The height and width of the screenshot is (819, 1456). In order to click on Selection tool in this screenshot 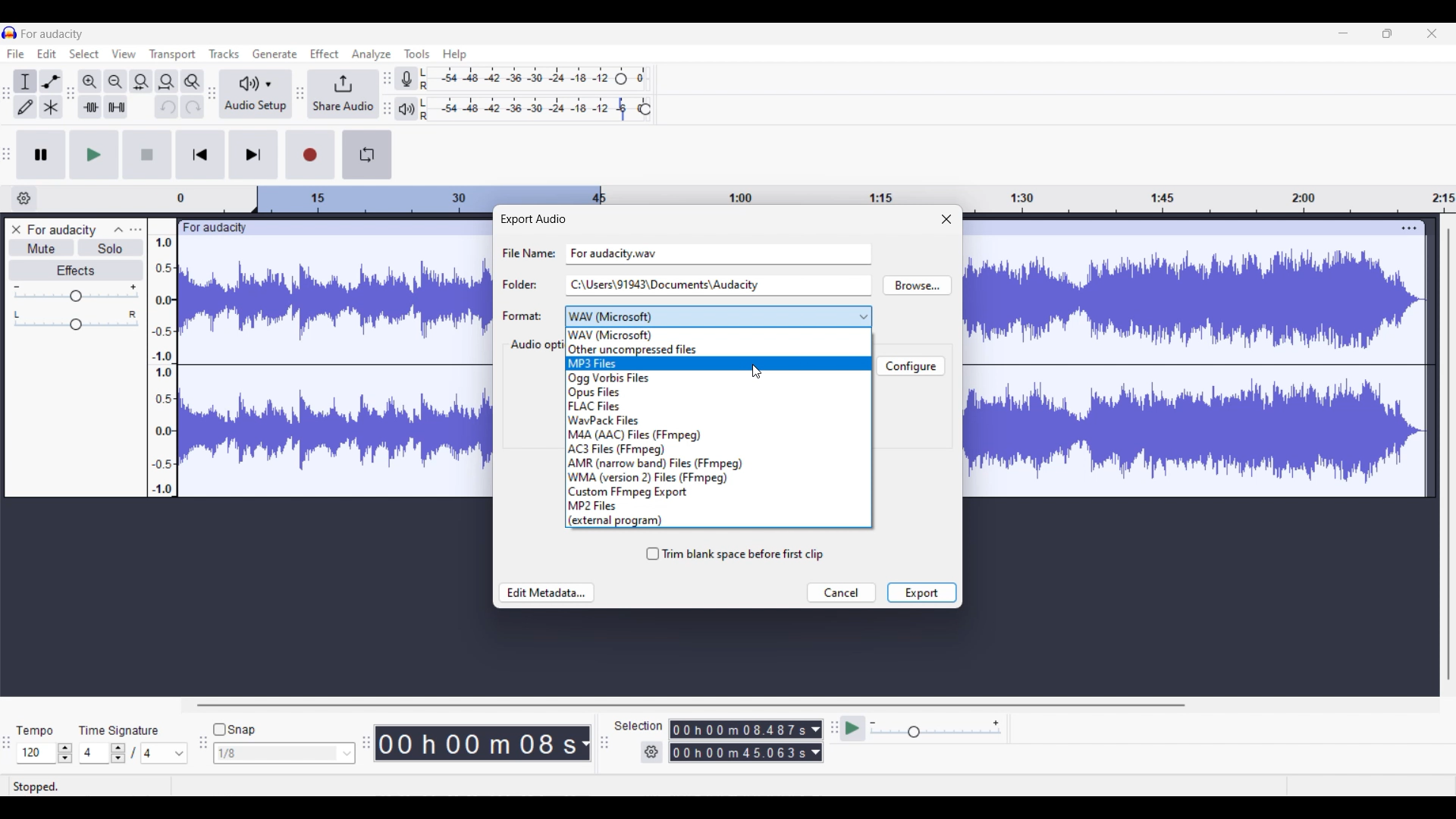, I will do `click(24, 83)`.